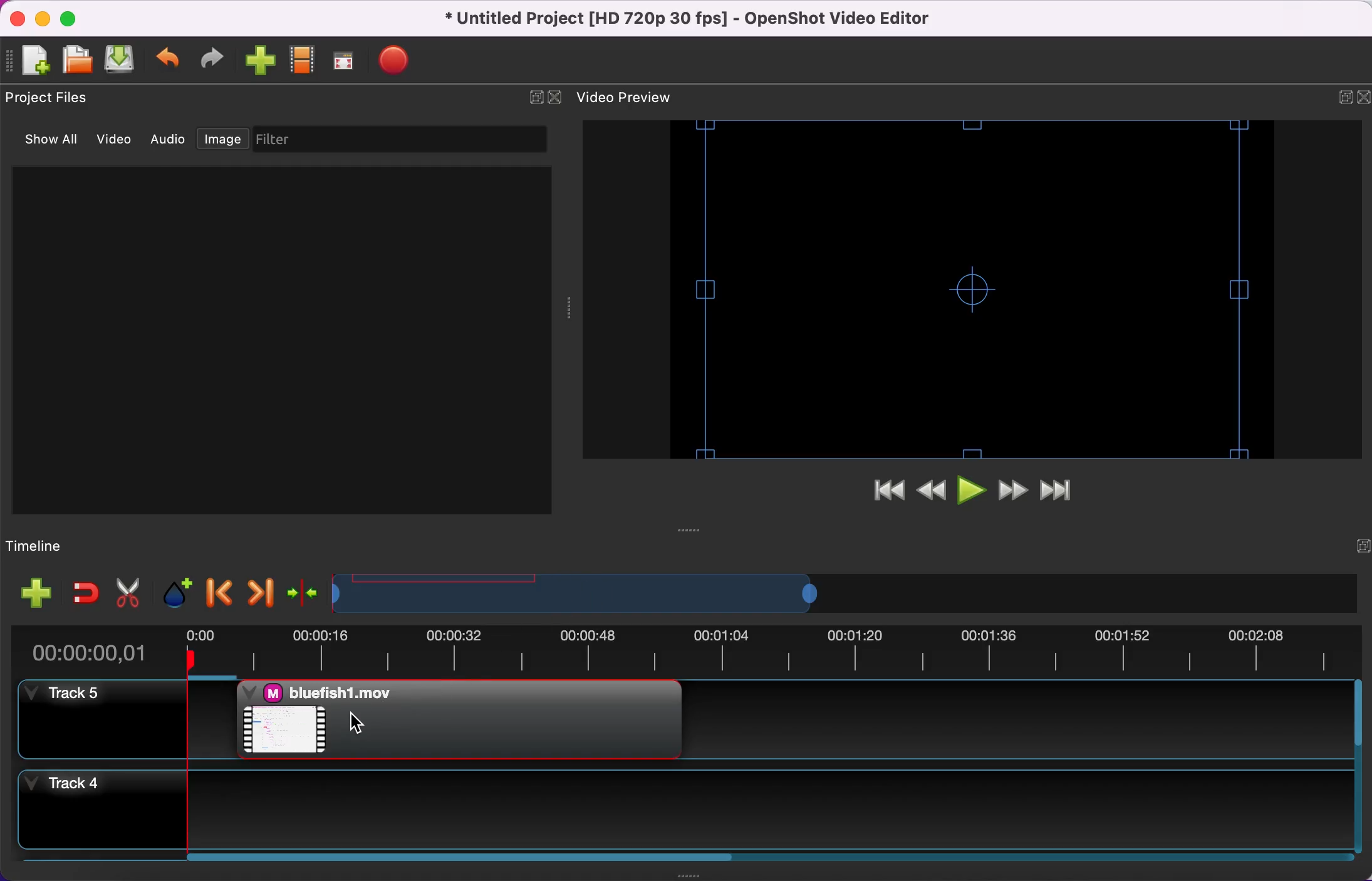 Image resolution: width=1372 pixels, height=881 pixels. What do you see at coordinates (117, 141) in the screenshot?
I see `video` at bounding box center [117, 141].